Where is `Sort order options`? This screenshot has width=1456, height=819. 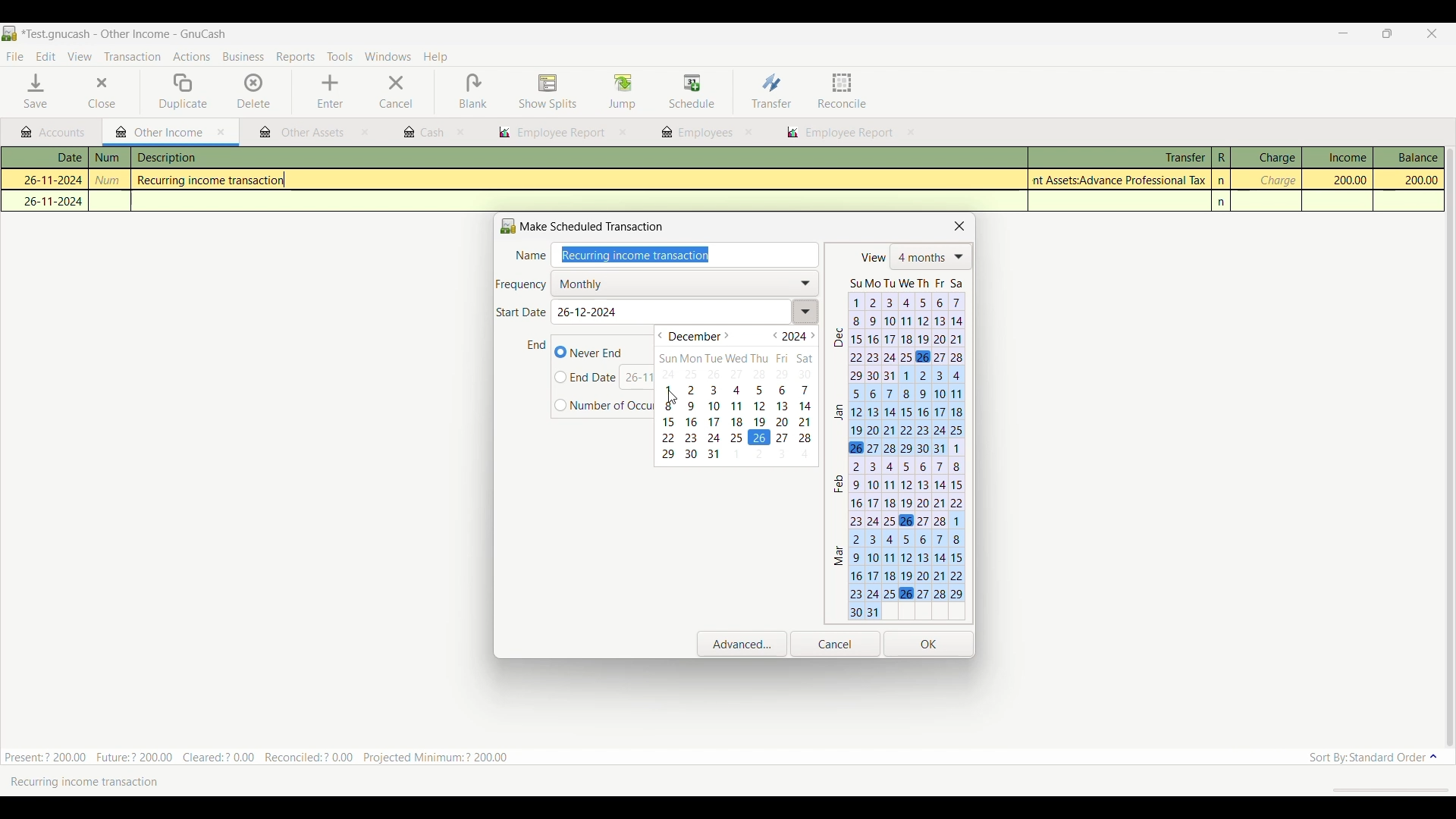
Sort order options is located at coordinates (1373, 758).